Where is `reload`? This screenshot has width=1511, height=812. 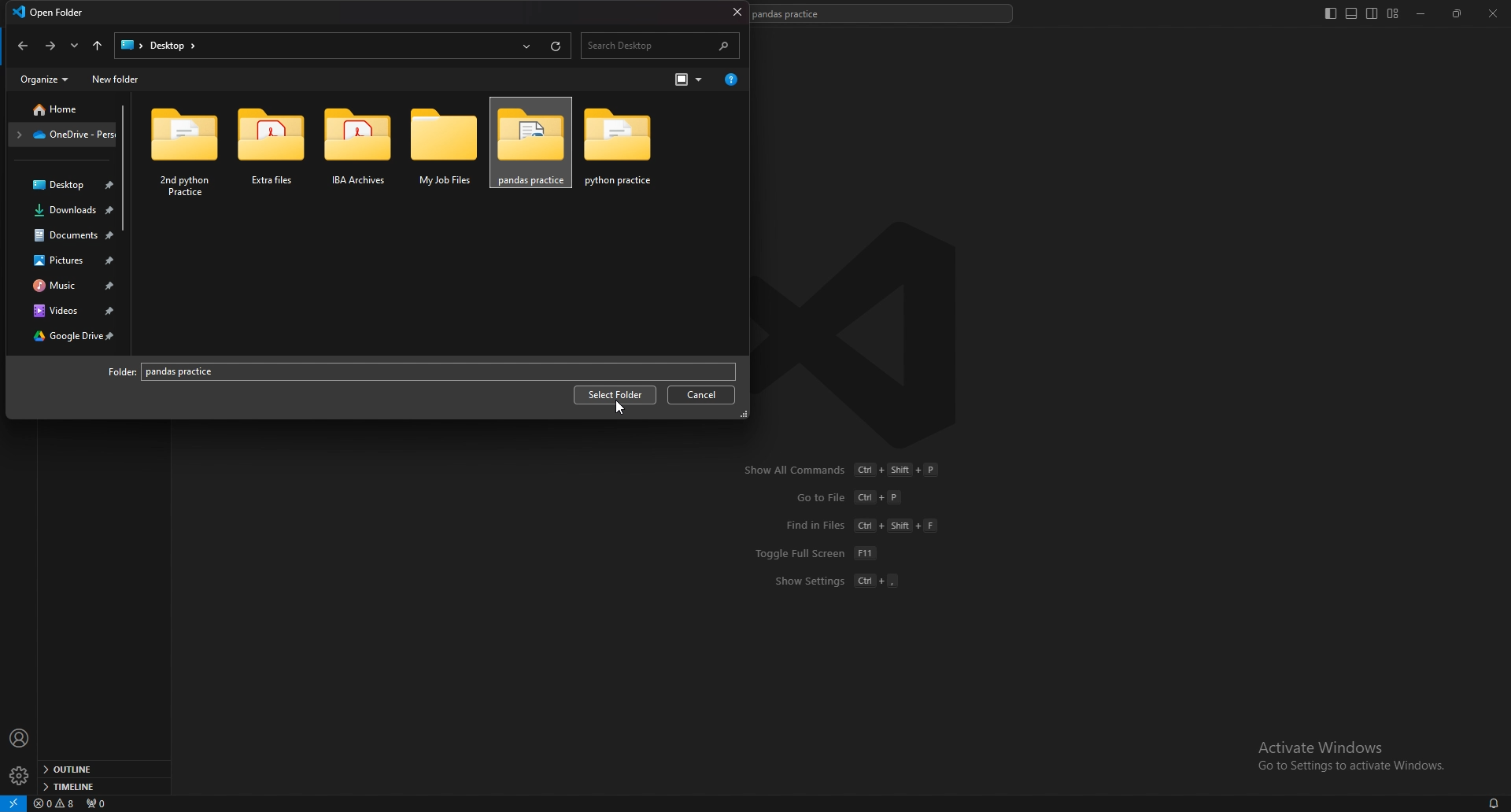
reload is located at coordinates (556, 45).